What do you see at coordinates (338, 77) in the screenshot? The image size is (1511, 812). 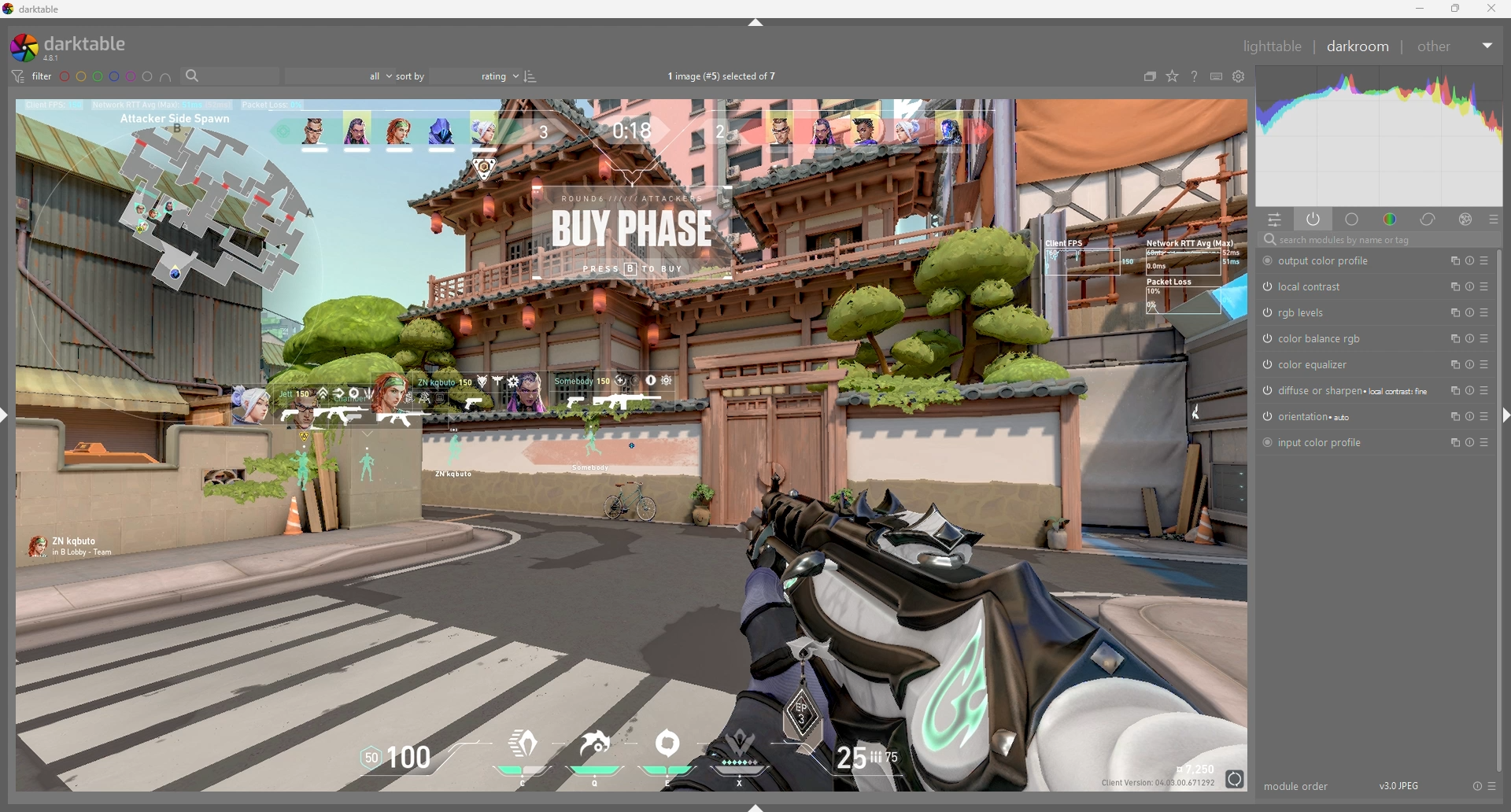 I see `filter by rating` at bounding box center [338, 77].